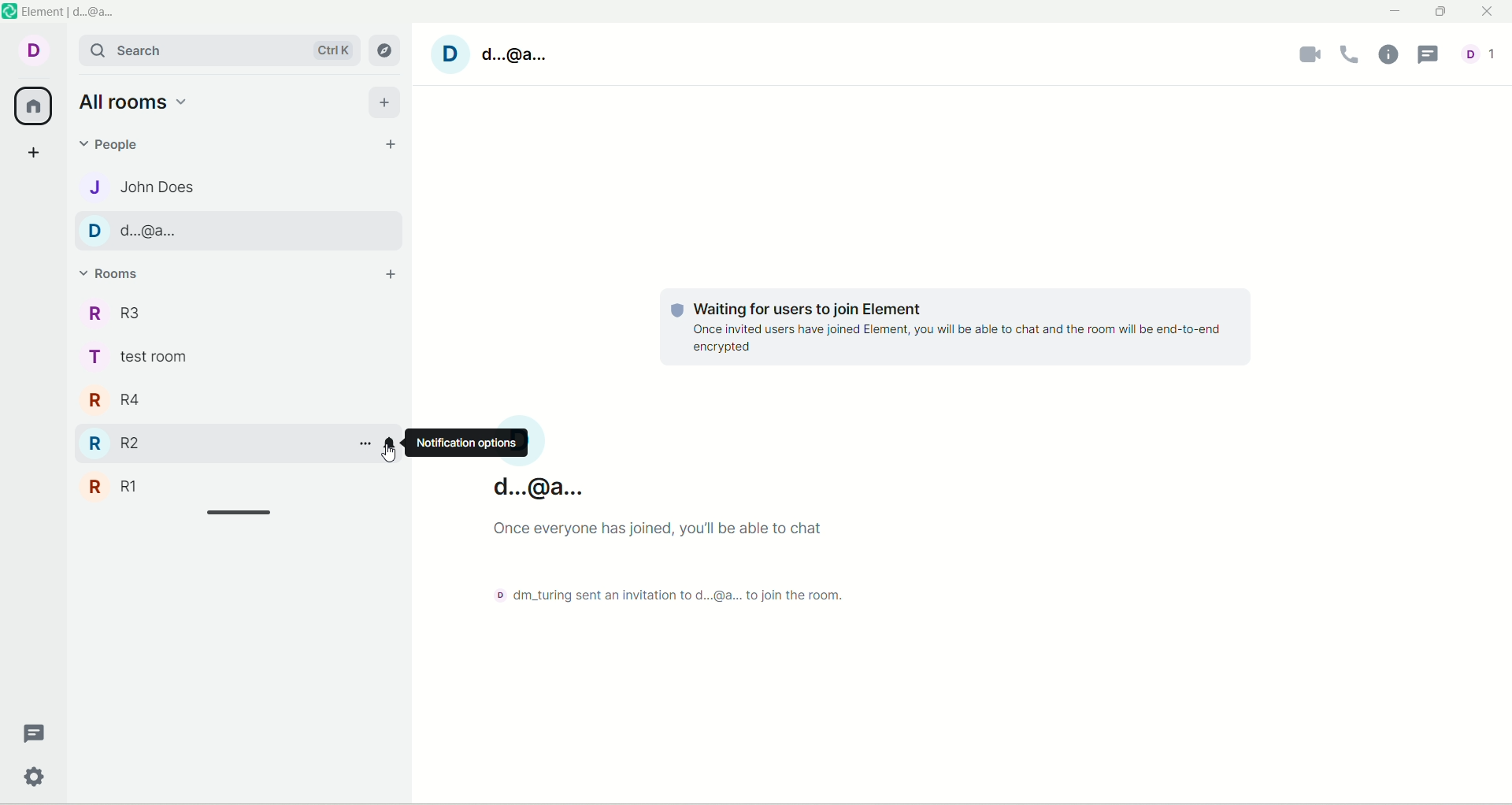 This screenshot has height=805, width=1512. Describe the element at coordinates (1352, 55) in the screenshot. I see `voice call` at that location.